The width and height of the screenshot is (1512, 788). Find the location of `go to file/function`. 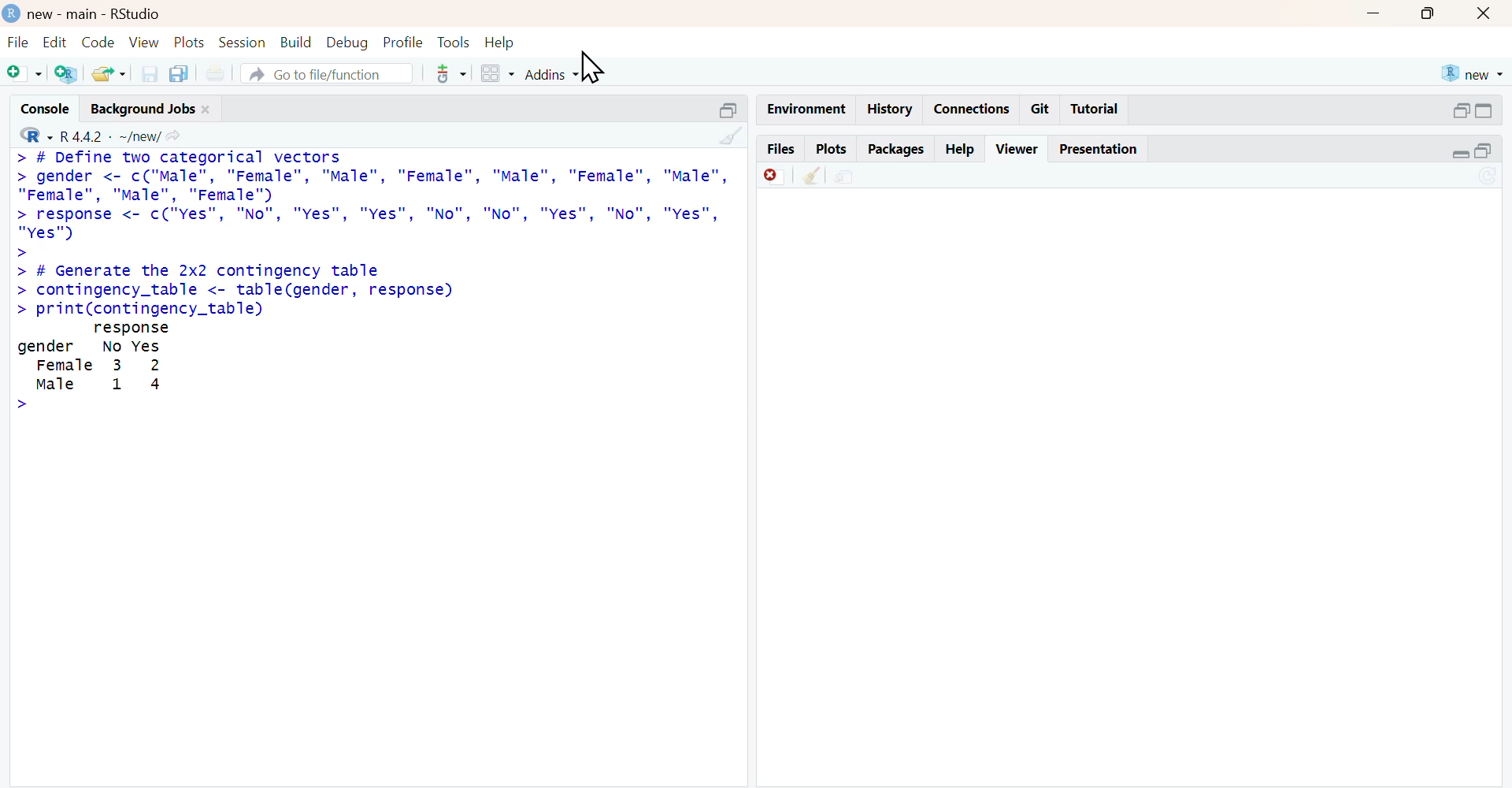

go to file/function is located at coordinates (328, 72).